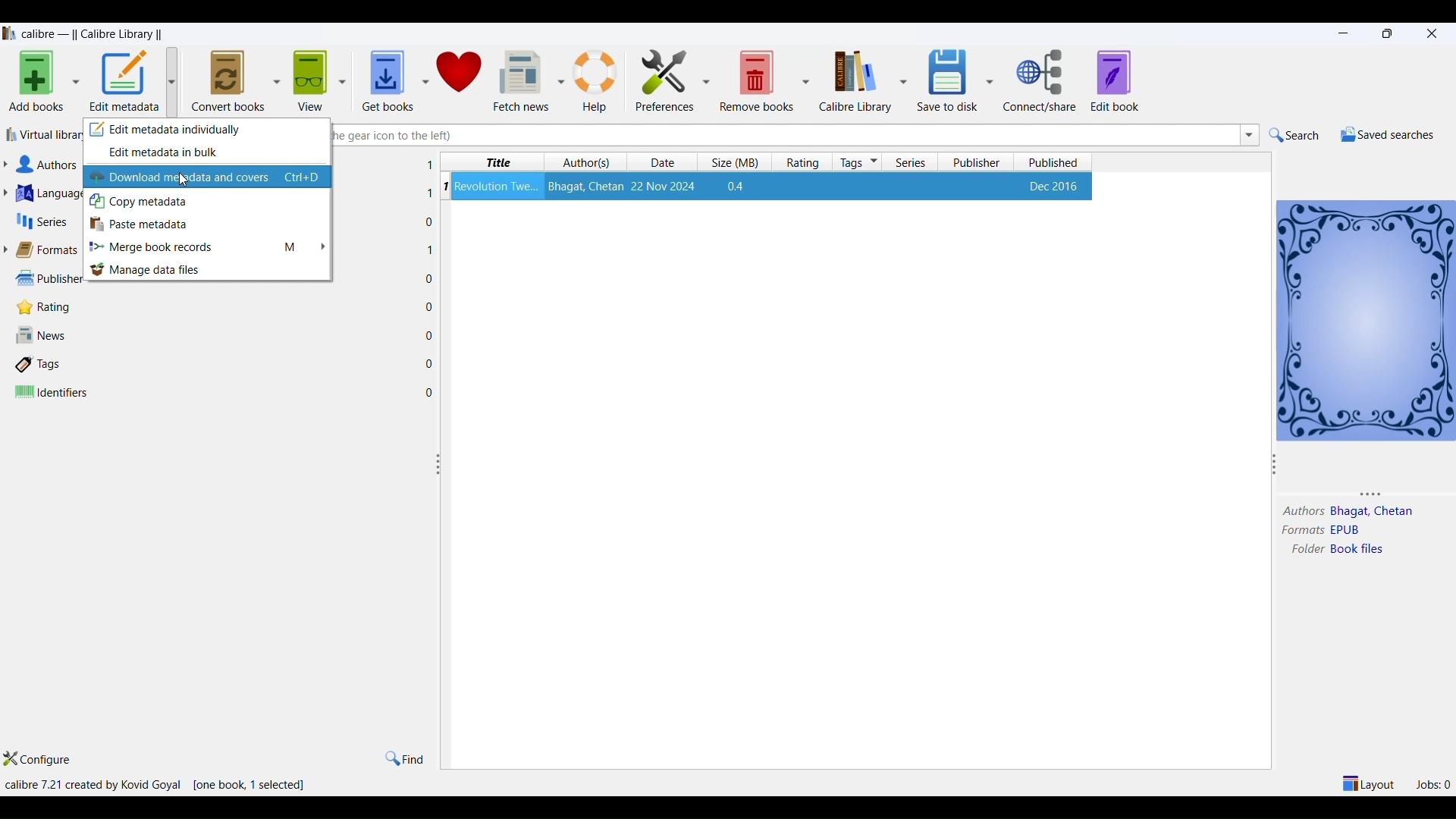 This screenshot has height=819, width=1456. What do you see at coordinates (93, 32) in the screenshot?
I see `application name` at bounding box center [93, 32].